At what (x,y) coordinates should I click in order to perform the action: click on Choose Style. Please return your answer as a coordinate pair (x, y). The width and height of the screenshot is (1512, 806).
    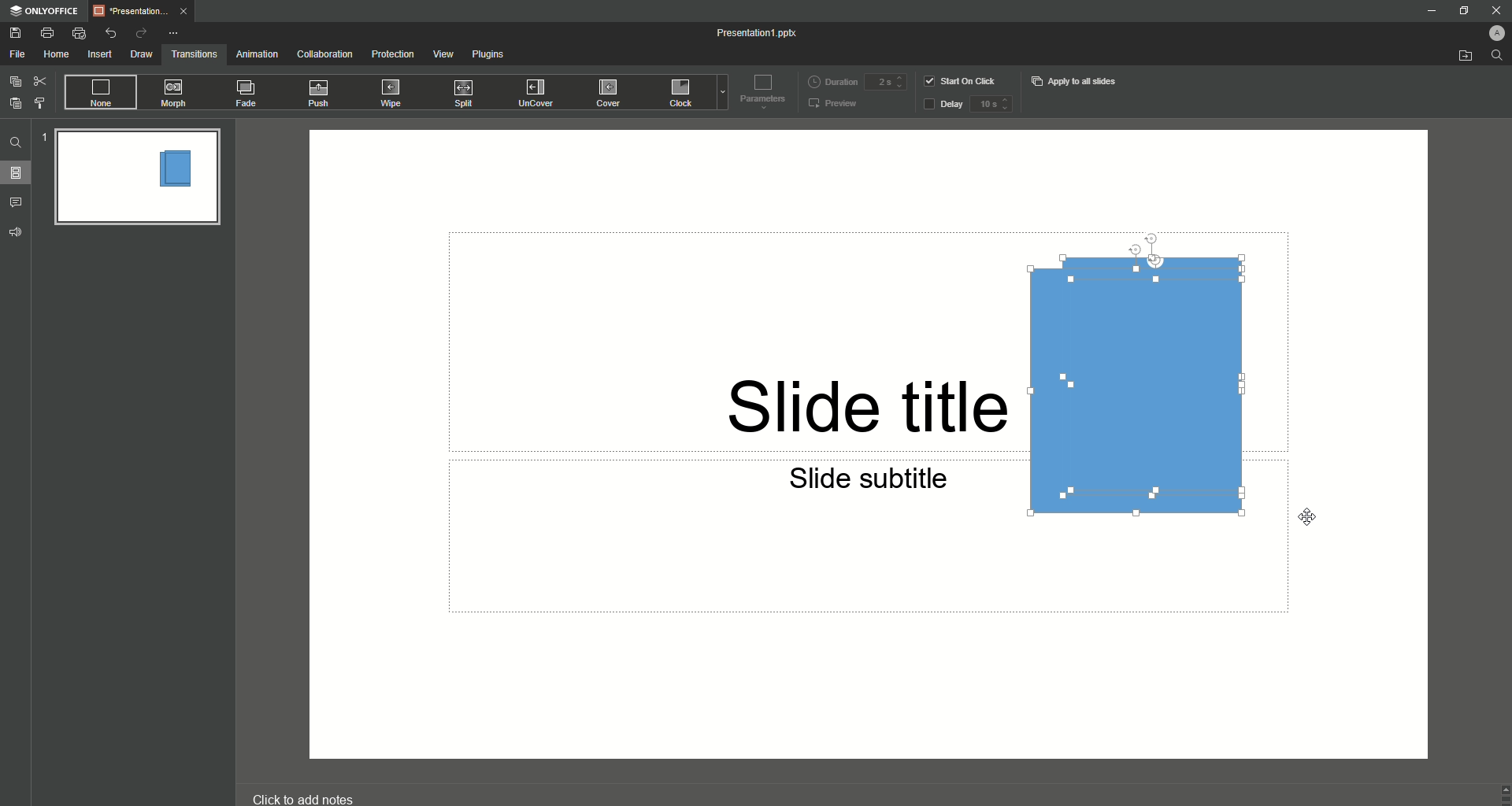
    Looking at the image, I should click on (40, 103).